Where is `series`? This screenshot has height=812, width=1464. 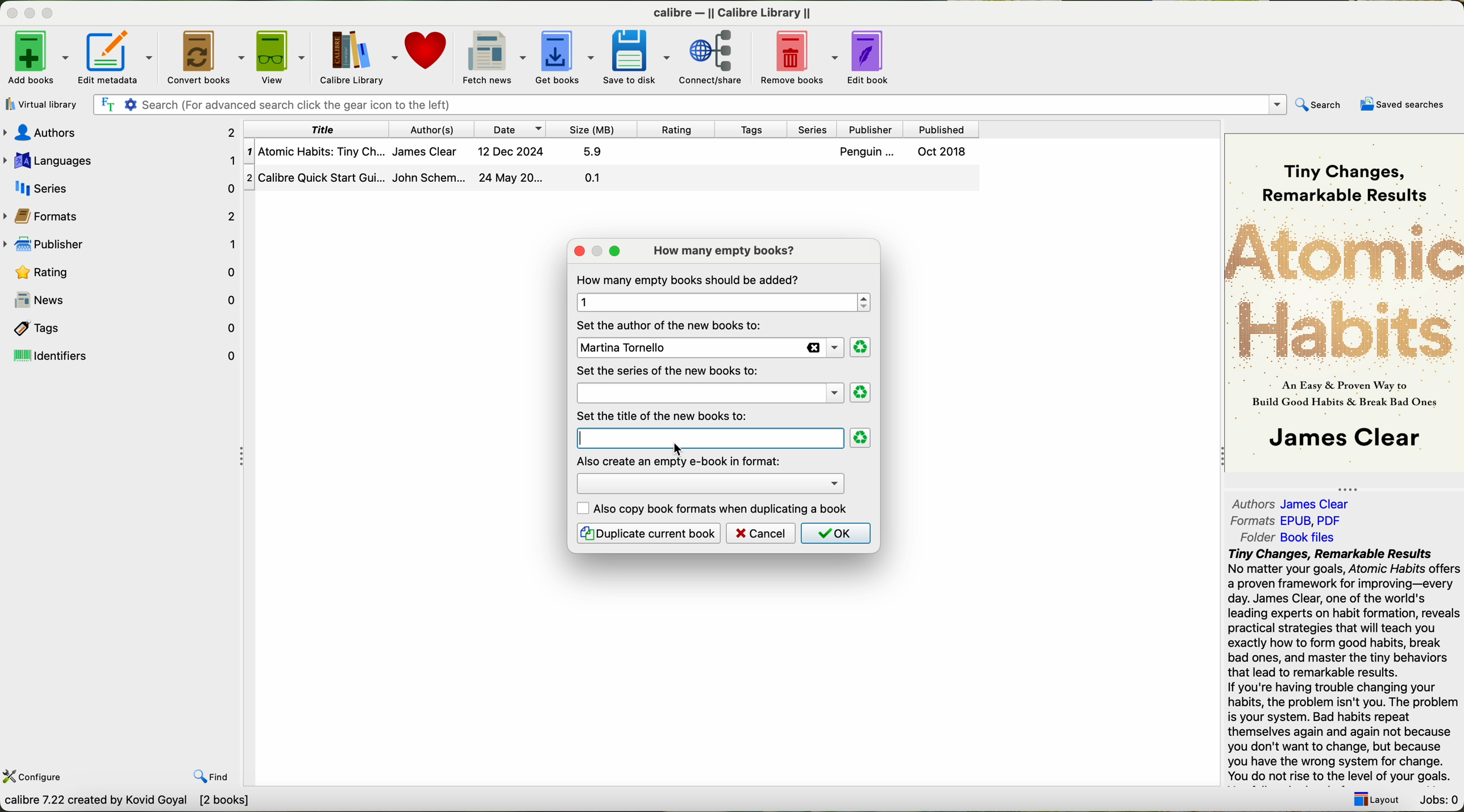
series is located at coordinates (818, 129).